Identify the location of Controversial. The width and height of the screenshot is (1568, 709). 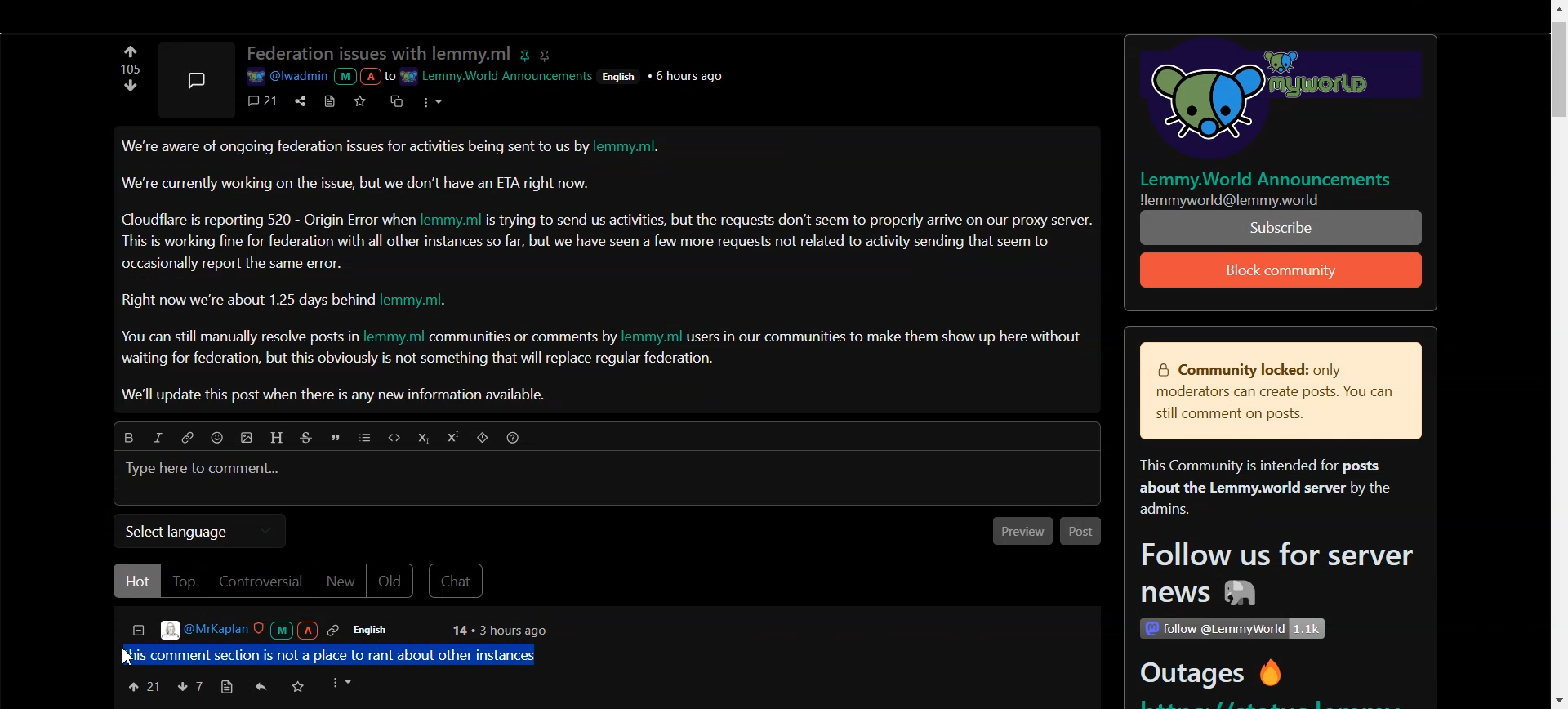
(260, 582).